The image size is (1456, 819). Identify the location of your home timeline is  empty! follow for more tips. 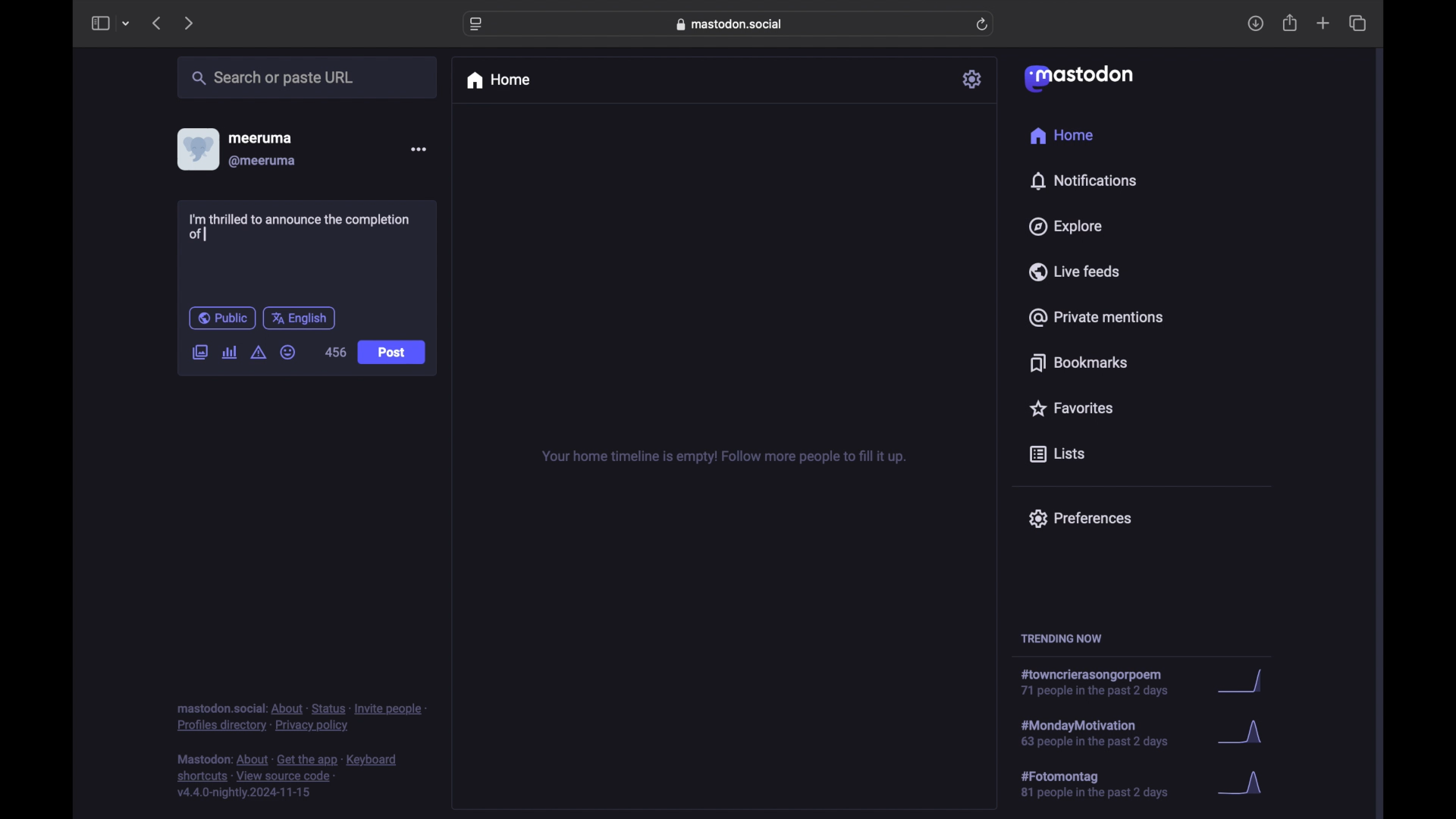
(722, 457).